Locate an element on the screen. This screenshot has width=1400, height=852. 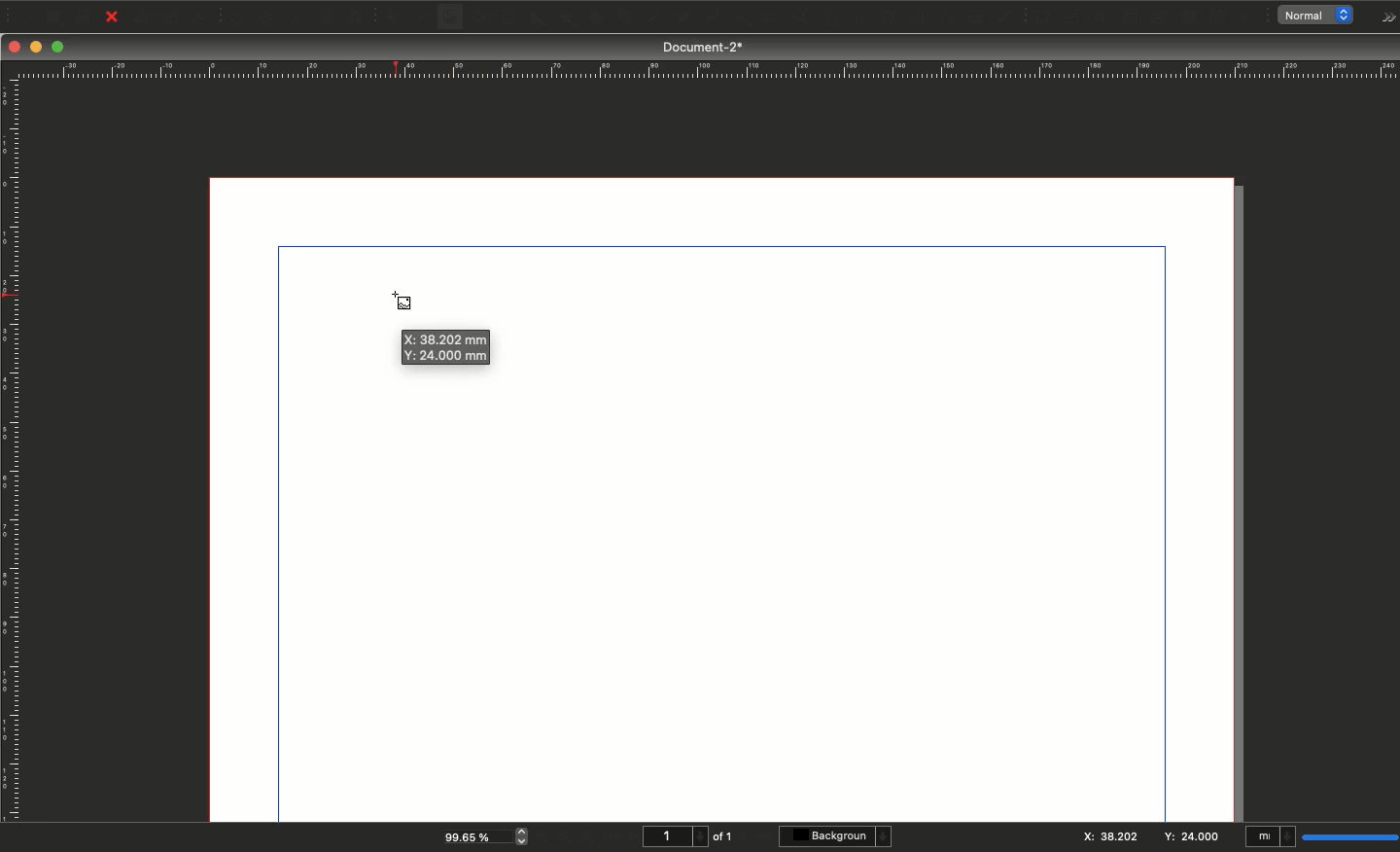
Shape is located at coordinates (540, 18).